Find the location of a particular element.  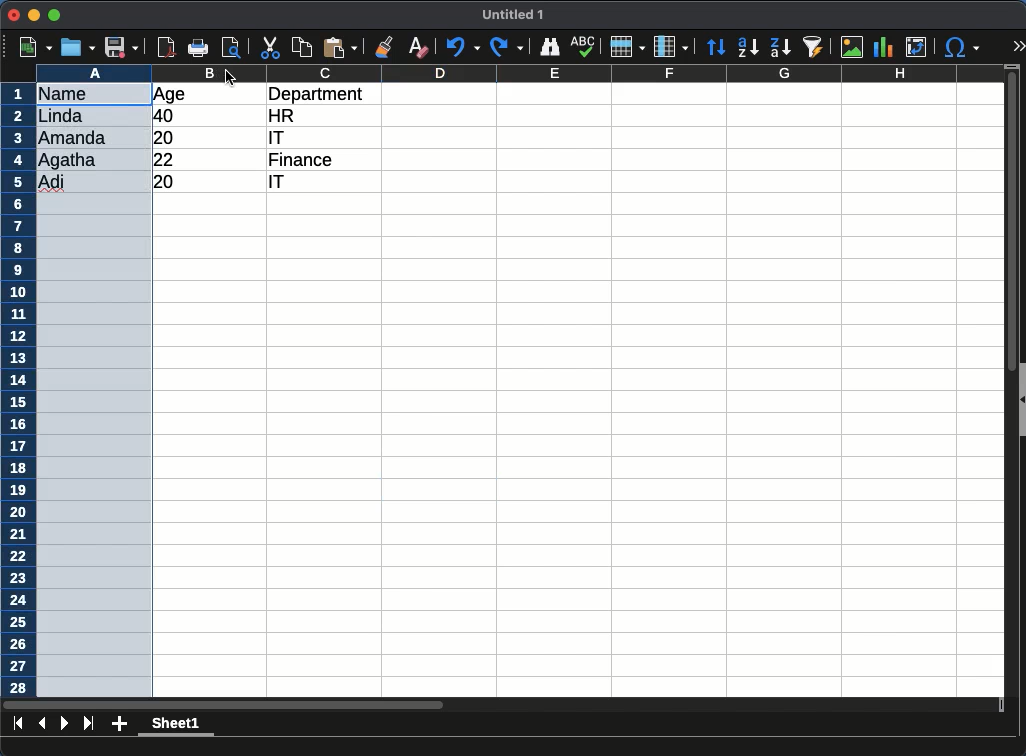

next page is located at coordinates (65, 723).